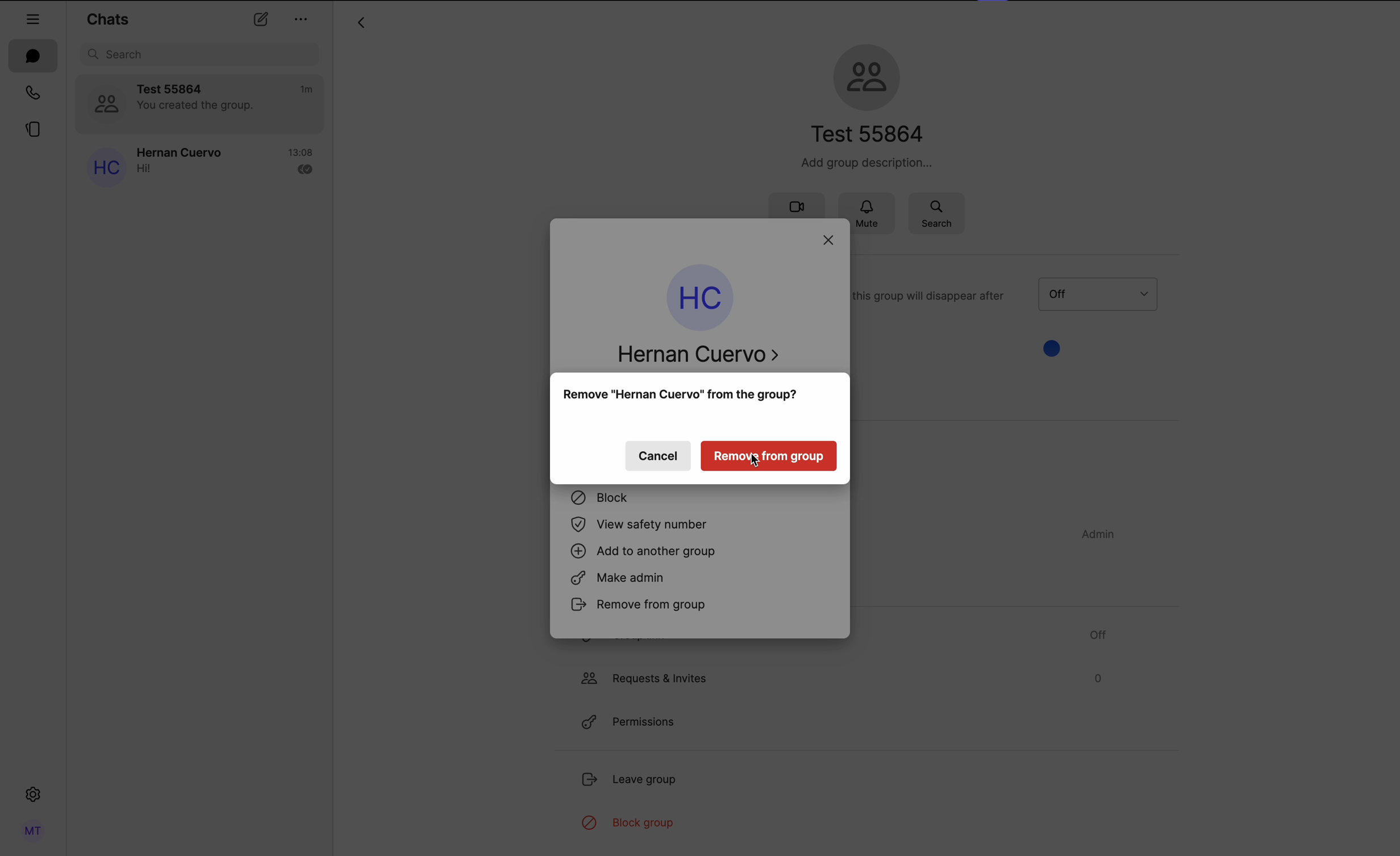 The width and height of the screenshot is (1400, 856). Describe the element at coordinates (628, 824) in the screenshot. I see `block group` at that location.